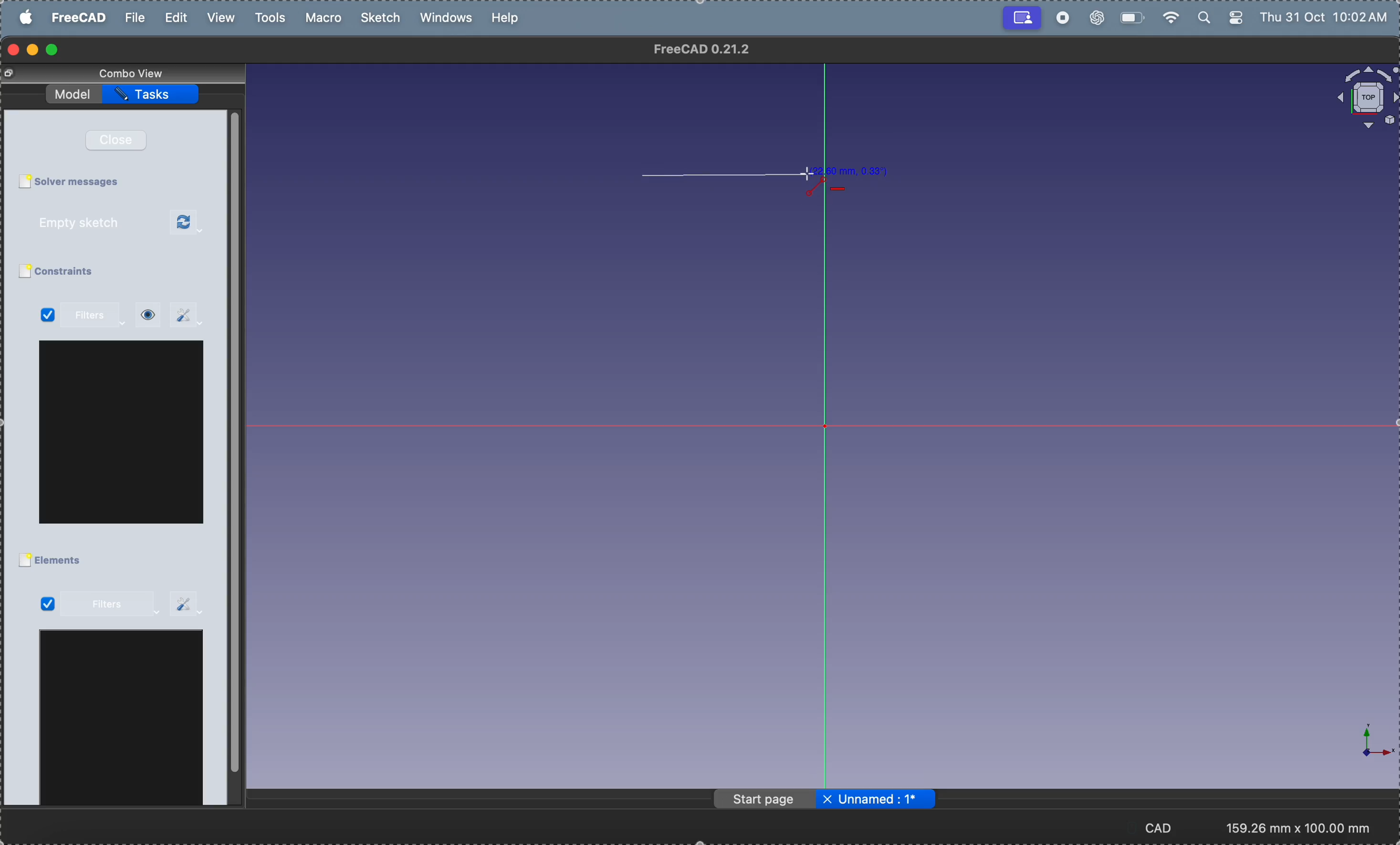 This screenshot has width=1400, height=845. I want to click on empty sketch, so click(93, 223).